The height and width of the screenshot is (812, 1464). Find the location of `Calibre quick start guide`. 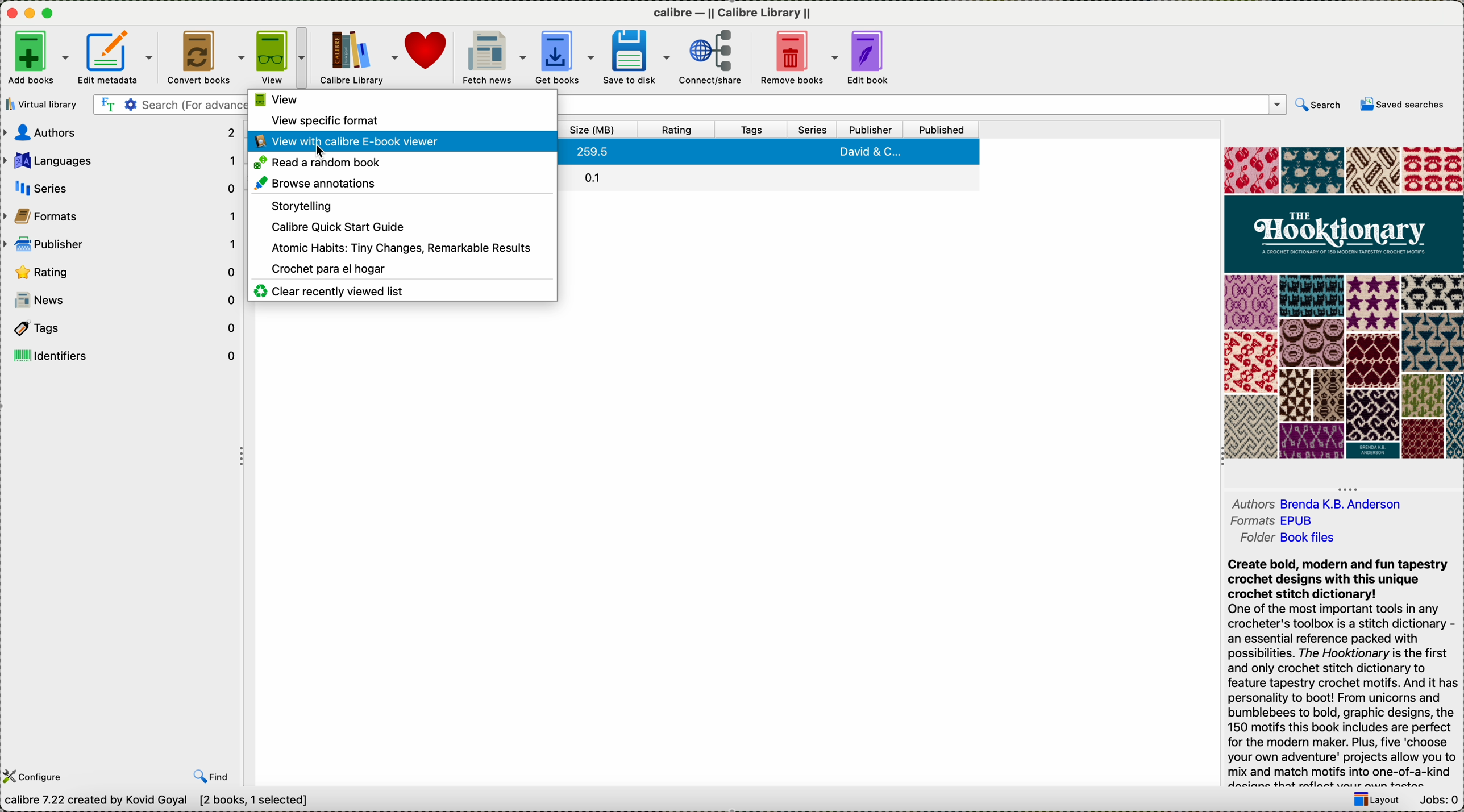

Calibre quick start guide is located at coordinates (336, 226).